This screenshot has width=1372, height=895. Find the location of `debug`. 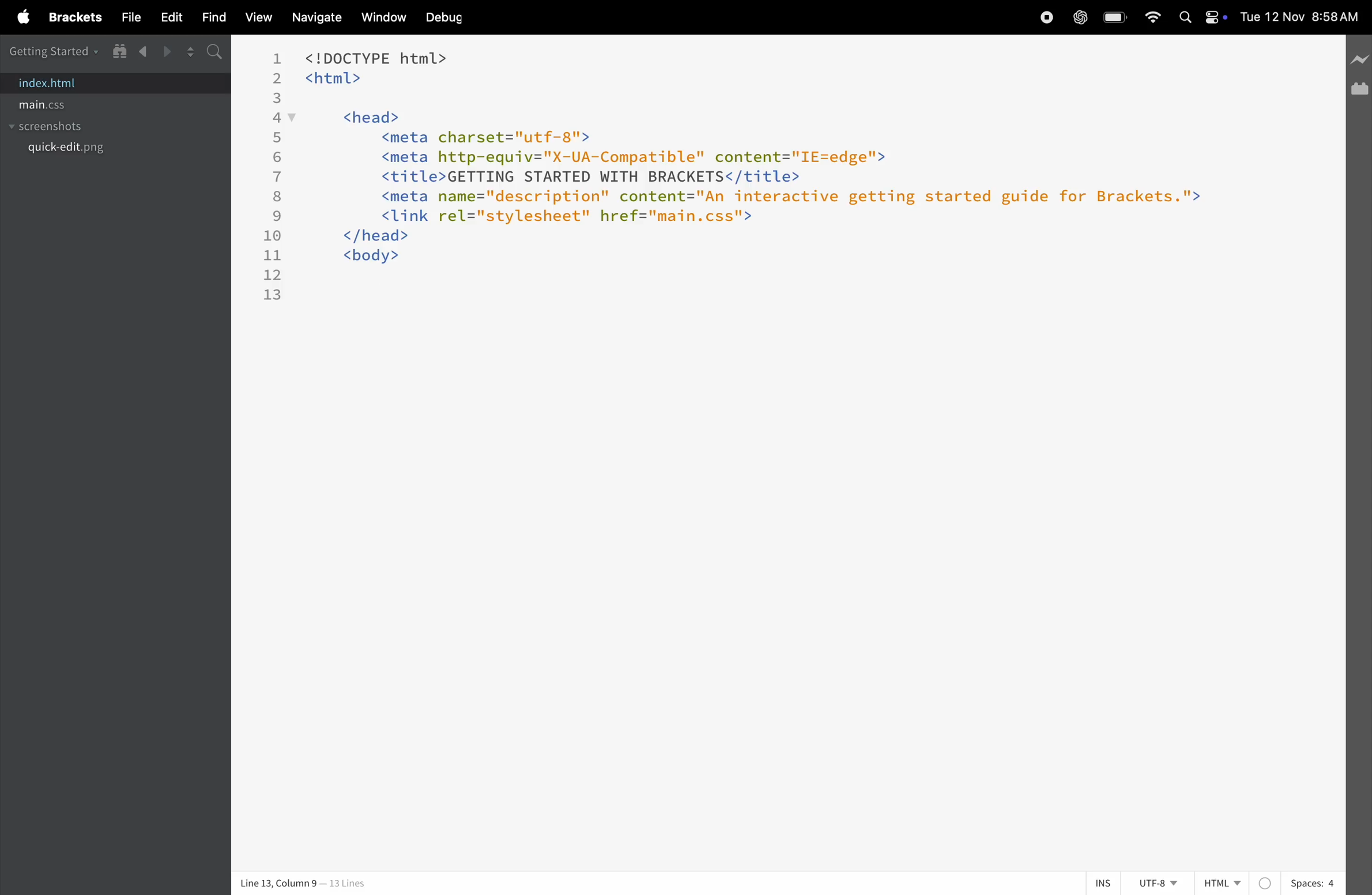

debug is located at coordinates (446, 17).